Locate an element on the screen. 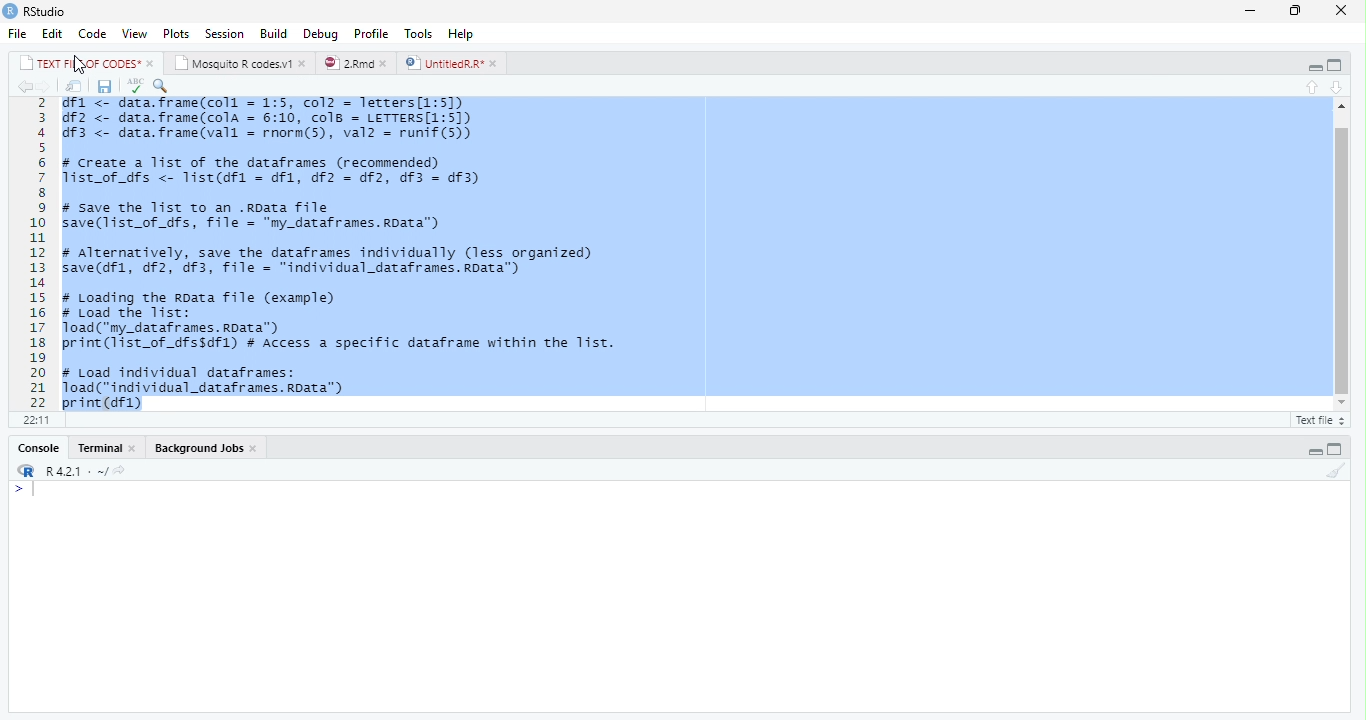  Save is located at coordinates (105, 87).